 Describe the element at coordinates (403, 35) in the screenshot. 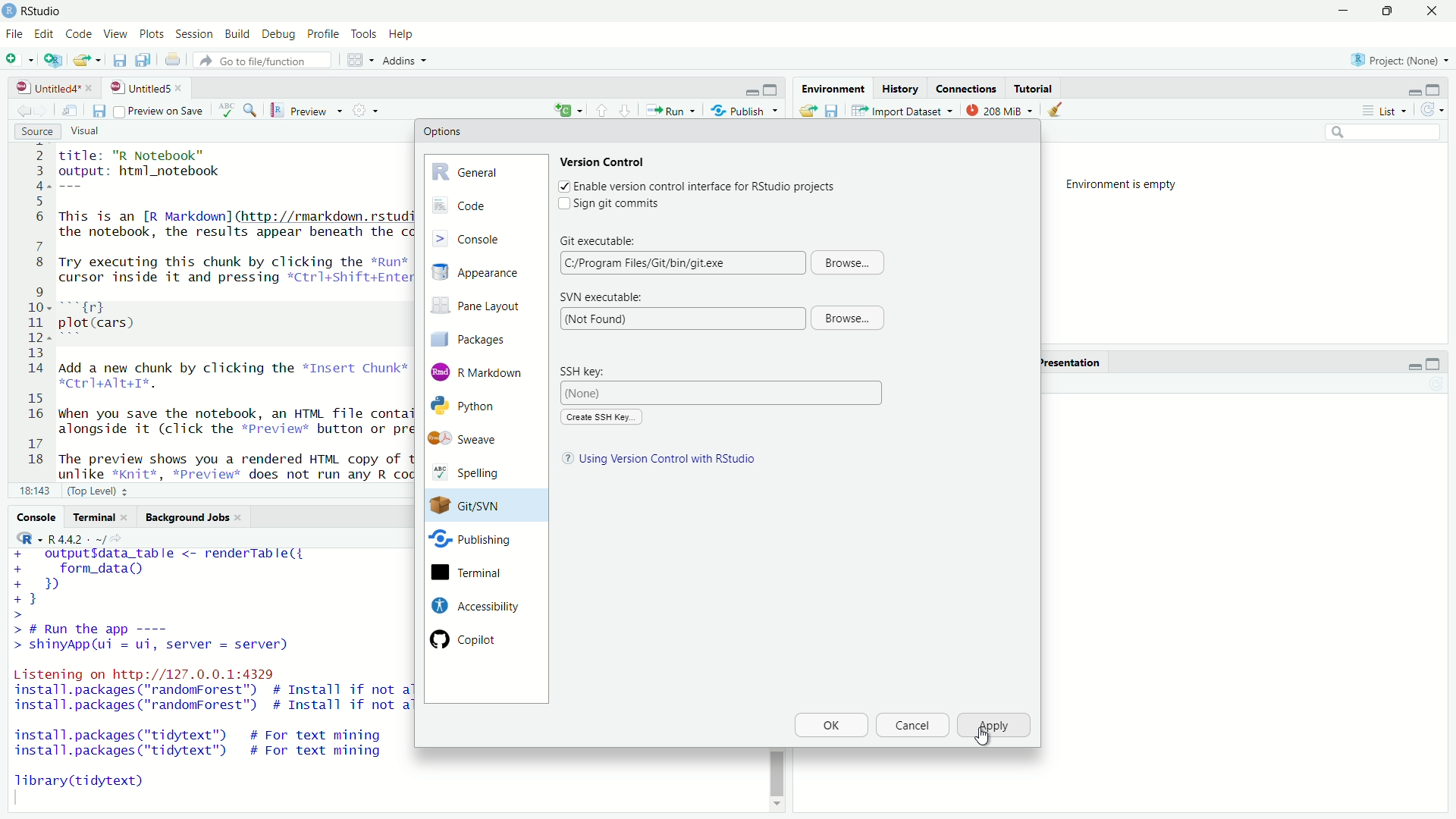

I see `Help` at that location.